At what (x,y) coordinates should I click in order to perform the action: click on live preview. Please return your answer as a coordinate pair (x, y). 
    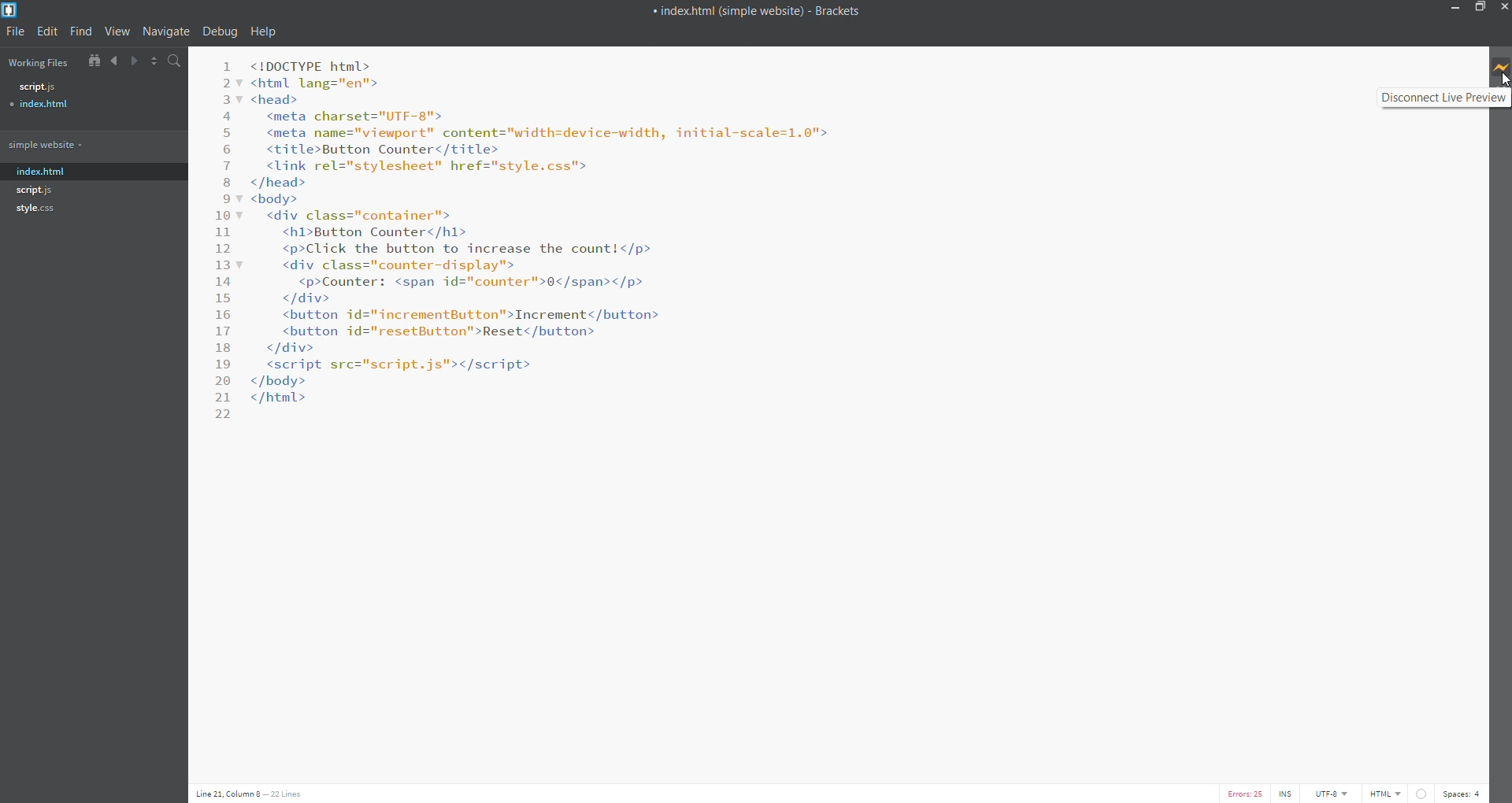
    Looking at the image, I should click on (1499, 66).